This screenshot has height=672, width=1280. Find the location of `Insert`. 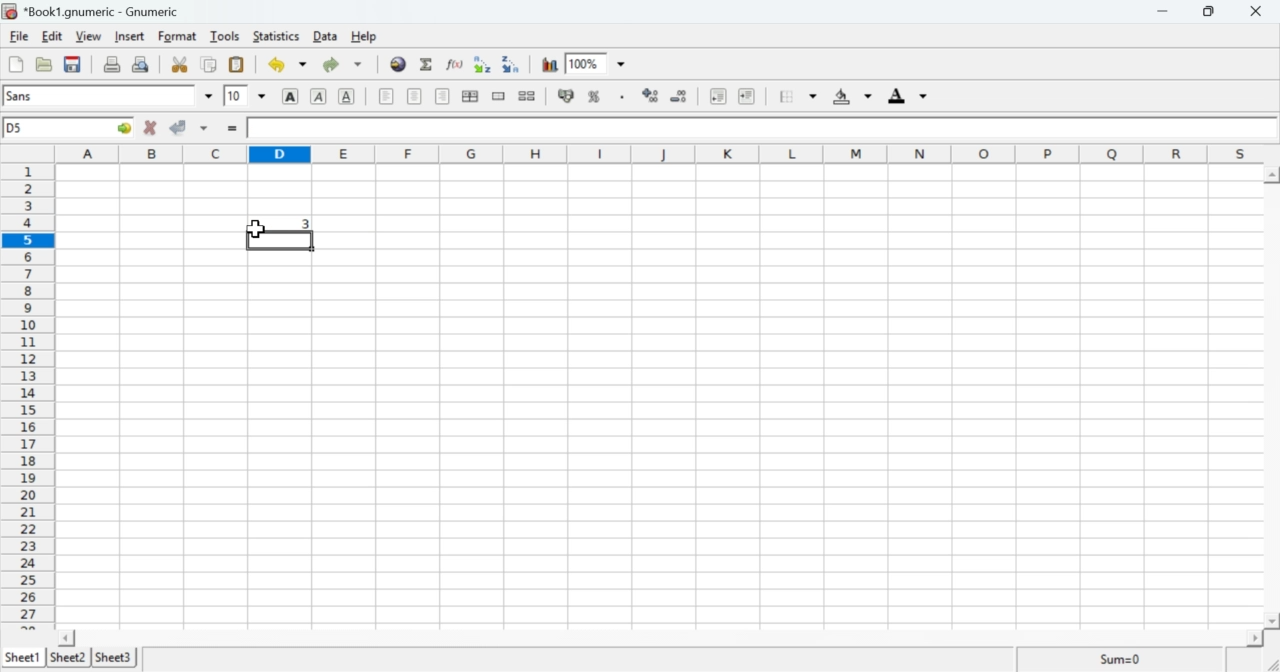

Insert is located at coordinates (130, 36).